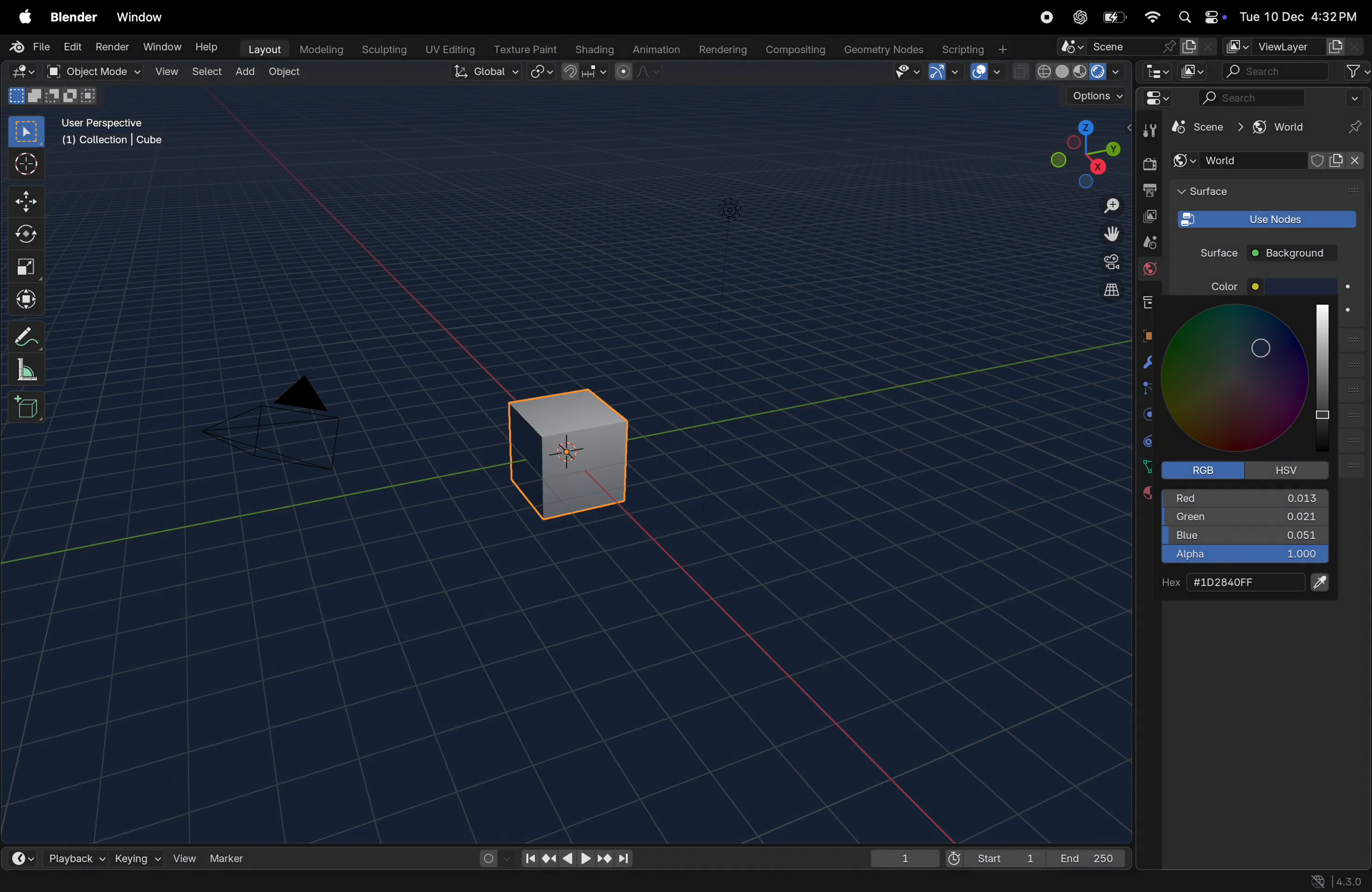 The width and height of the screenshot is (1372, 892). I want to click on Visibility, so click(907, 72).